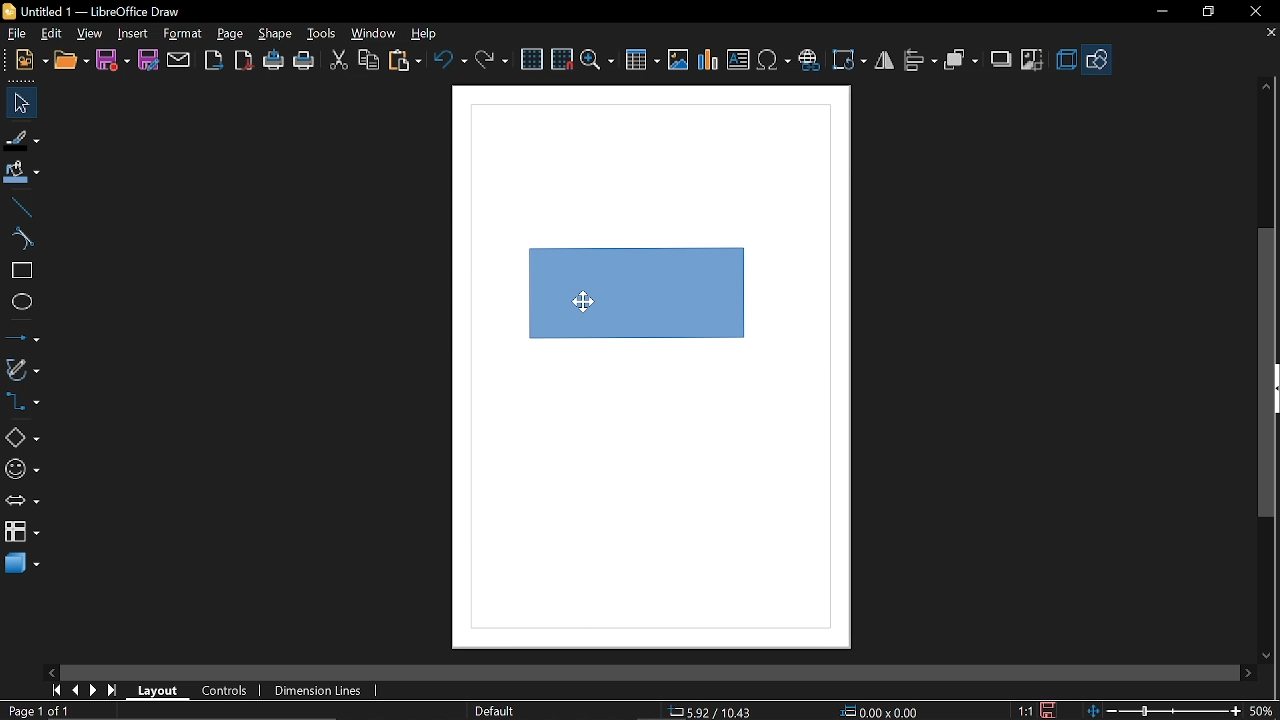  Describe the element at coordinates (134, 33) in the screenshot. I see `Insert` at that location.